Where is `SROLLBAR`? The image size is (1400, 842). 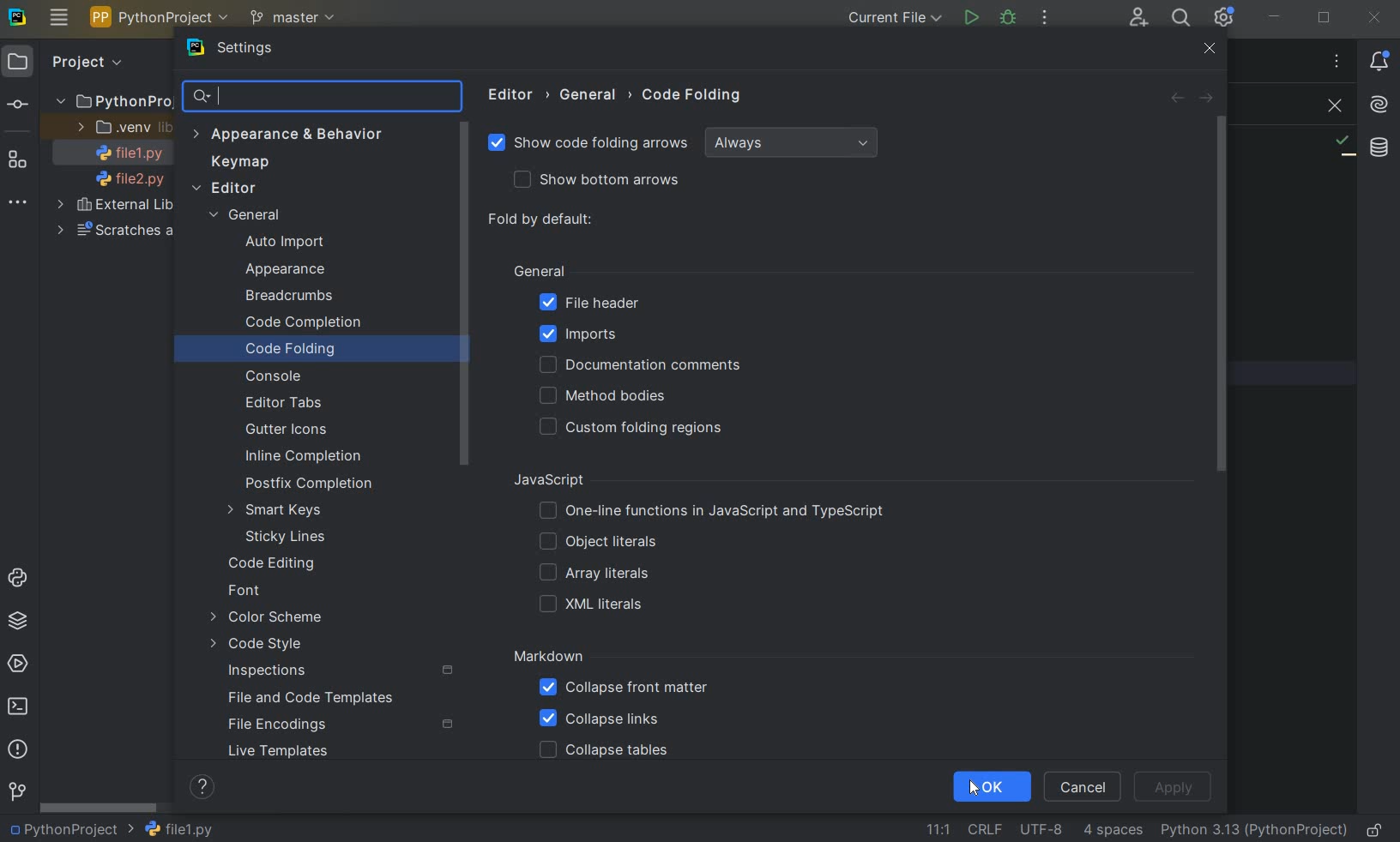
SROLLBAR is located at coordinates (468, 296).